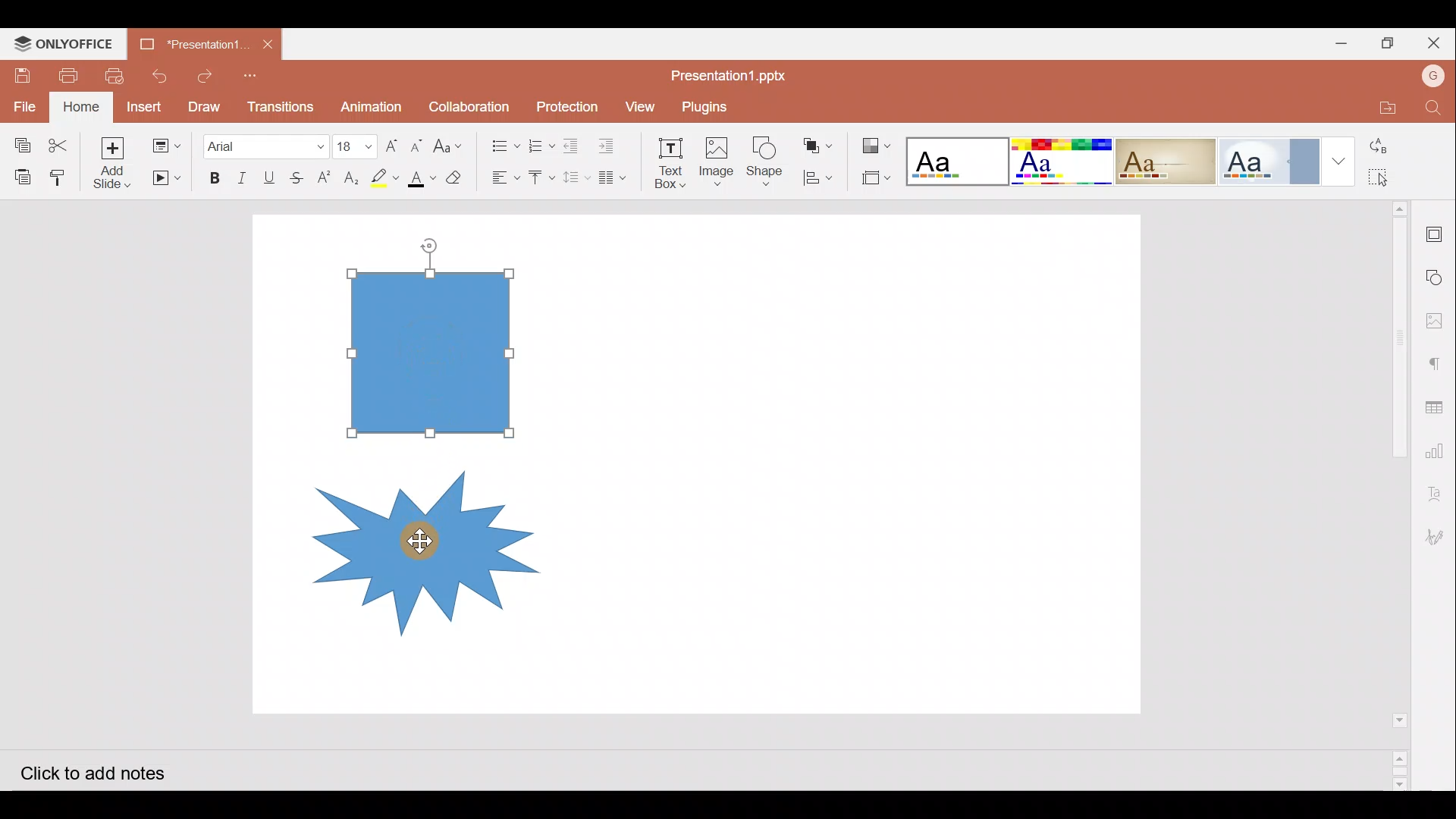 This screenshot has width=1456, height=819. Describe the element at coordinates (819, 141) in the screenshot. I see `Arrange shape` at that location.